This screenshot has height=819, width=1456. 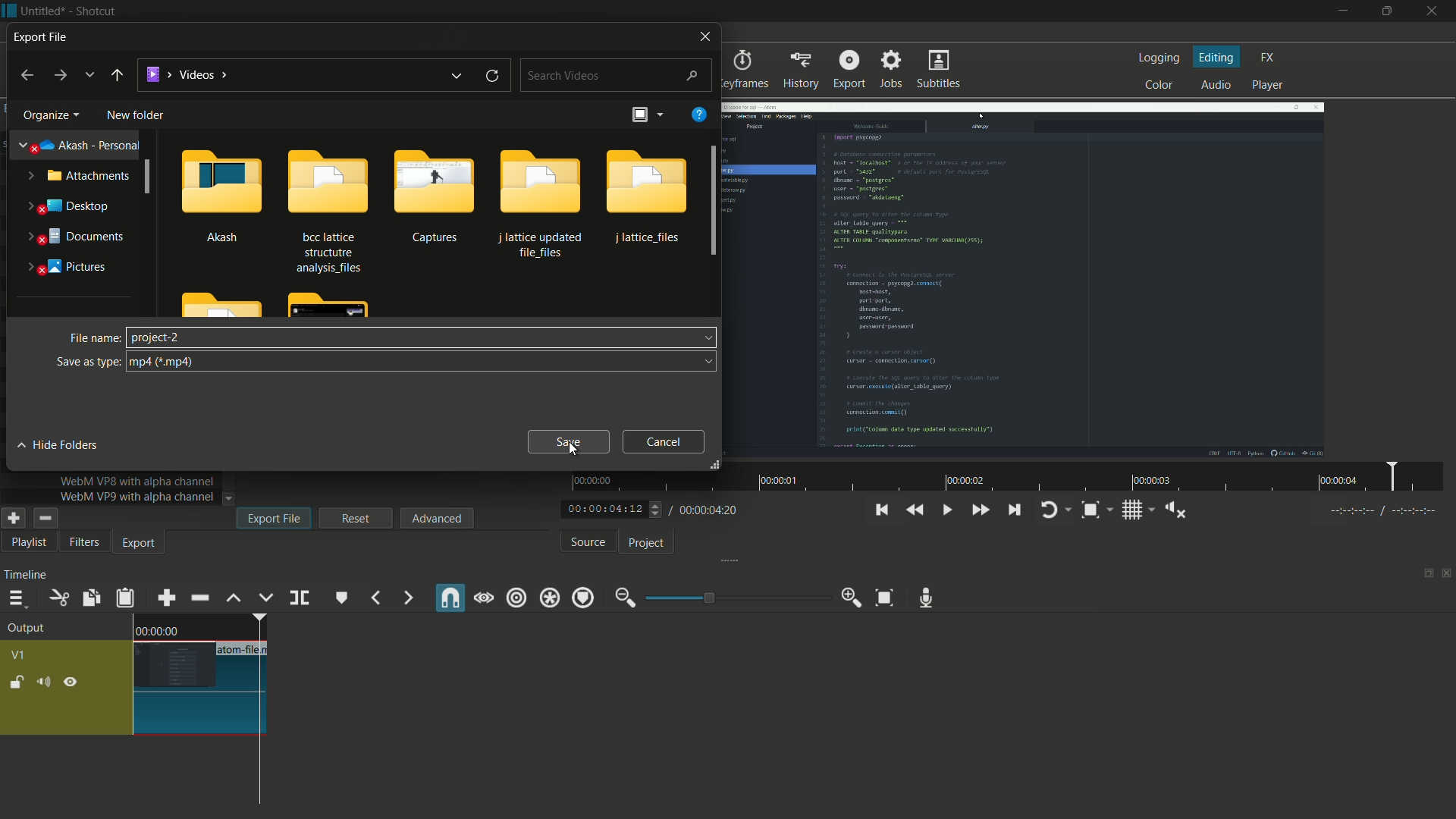 I want to click on rewind/fast forward, so click(x=657, y=509).